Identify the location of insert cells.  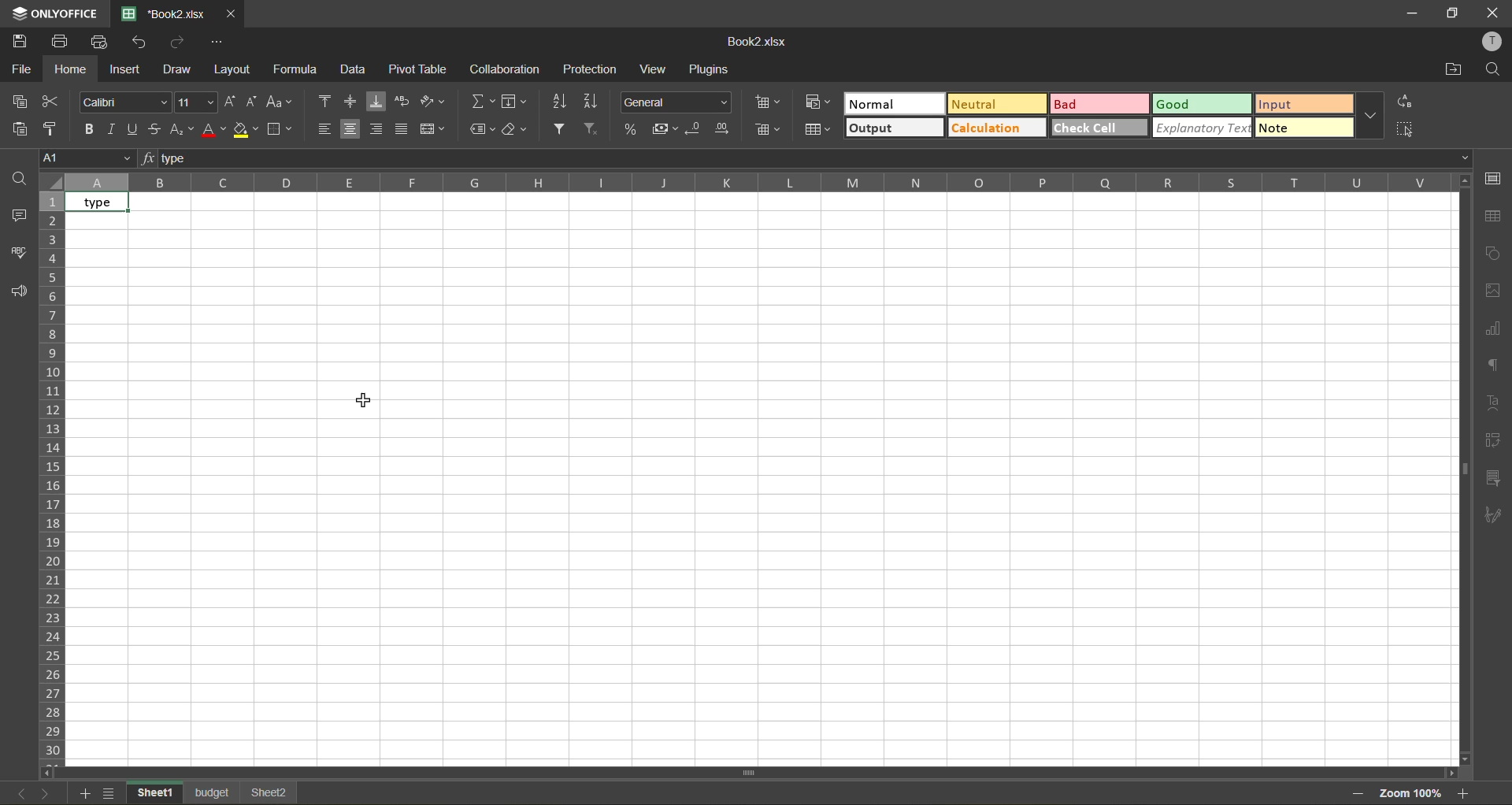
(772, 102).